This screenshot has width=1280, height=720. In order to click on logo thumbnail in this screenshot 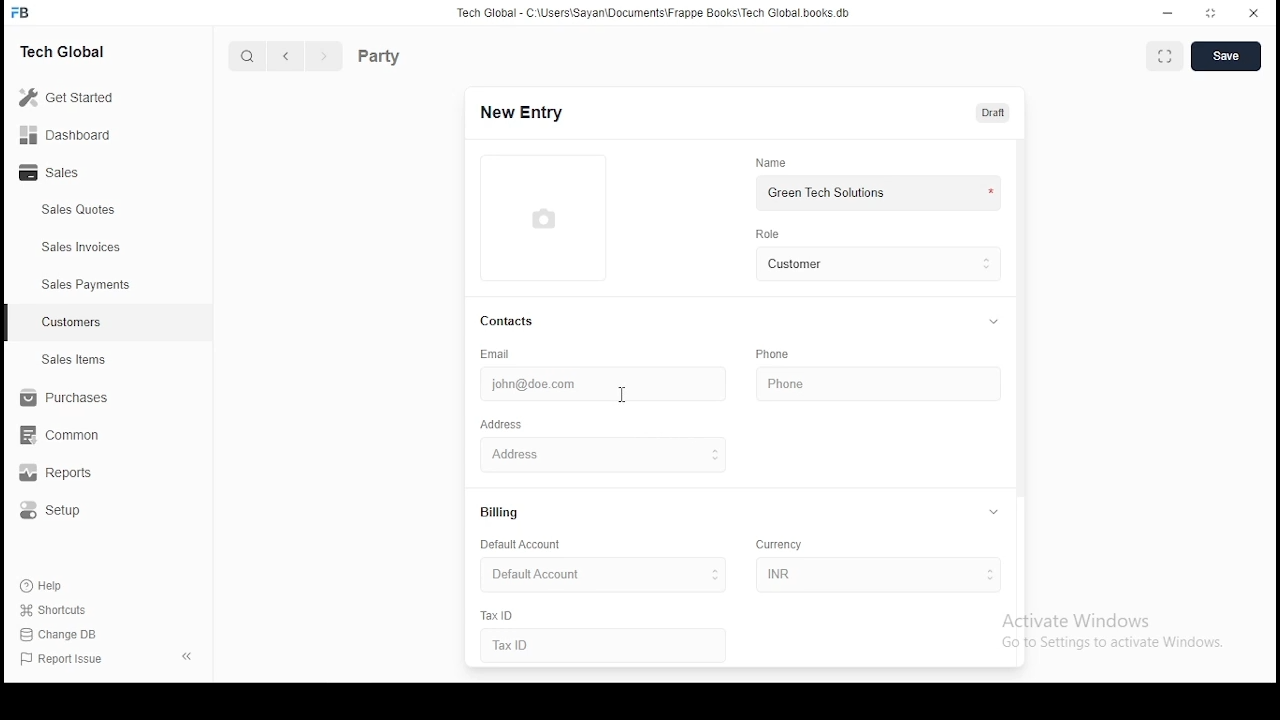, I will do `click(546, 217)`.